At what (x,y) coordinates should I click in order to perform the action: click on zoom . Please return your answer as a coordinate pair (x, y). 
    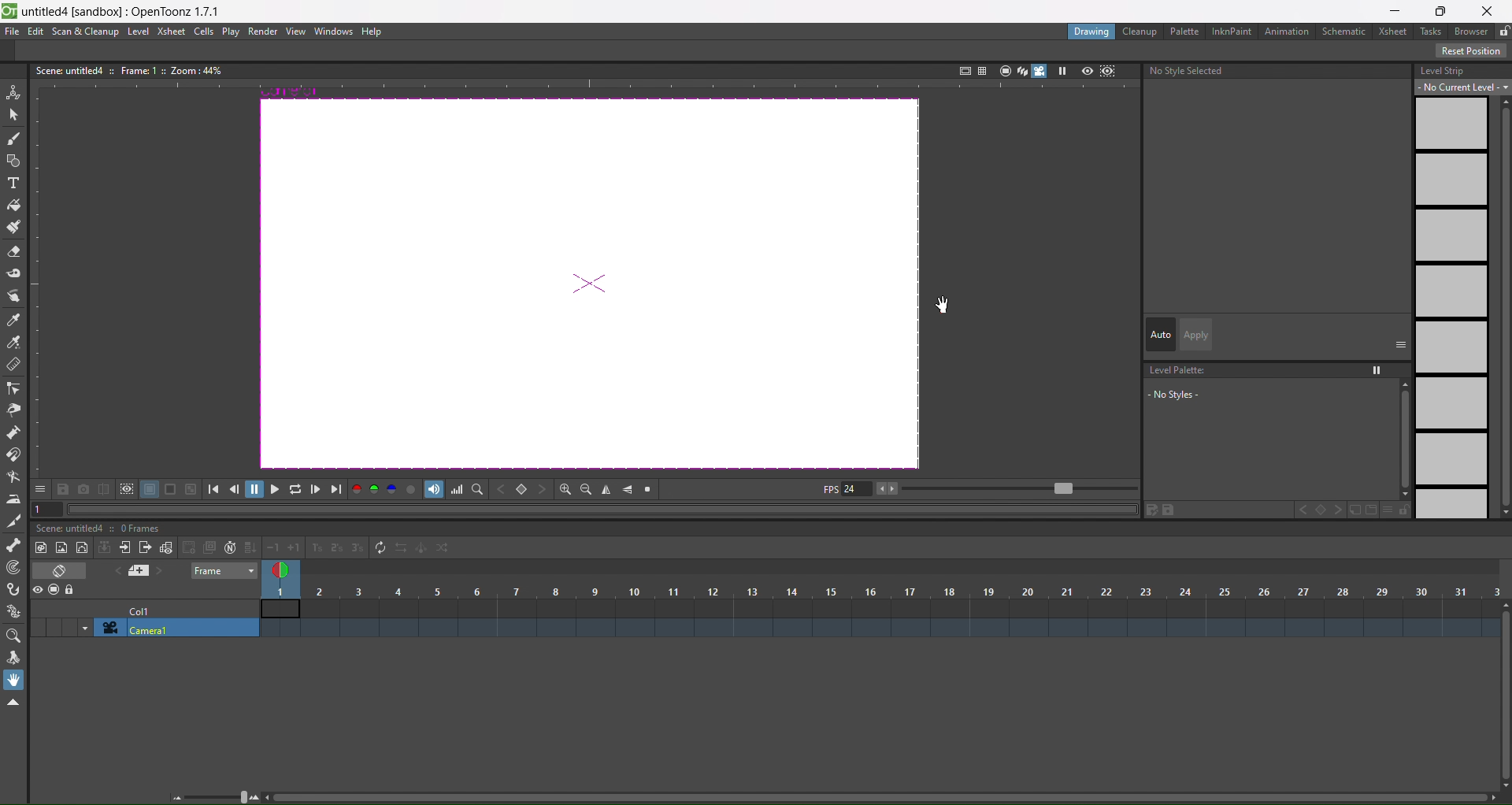
    Looking at the image, I should click on (217, 796).